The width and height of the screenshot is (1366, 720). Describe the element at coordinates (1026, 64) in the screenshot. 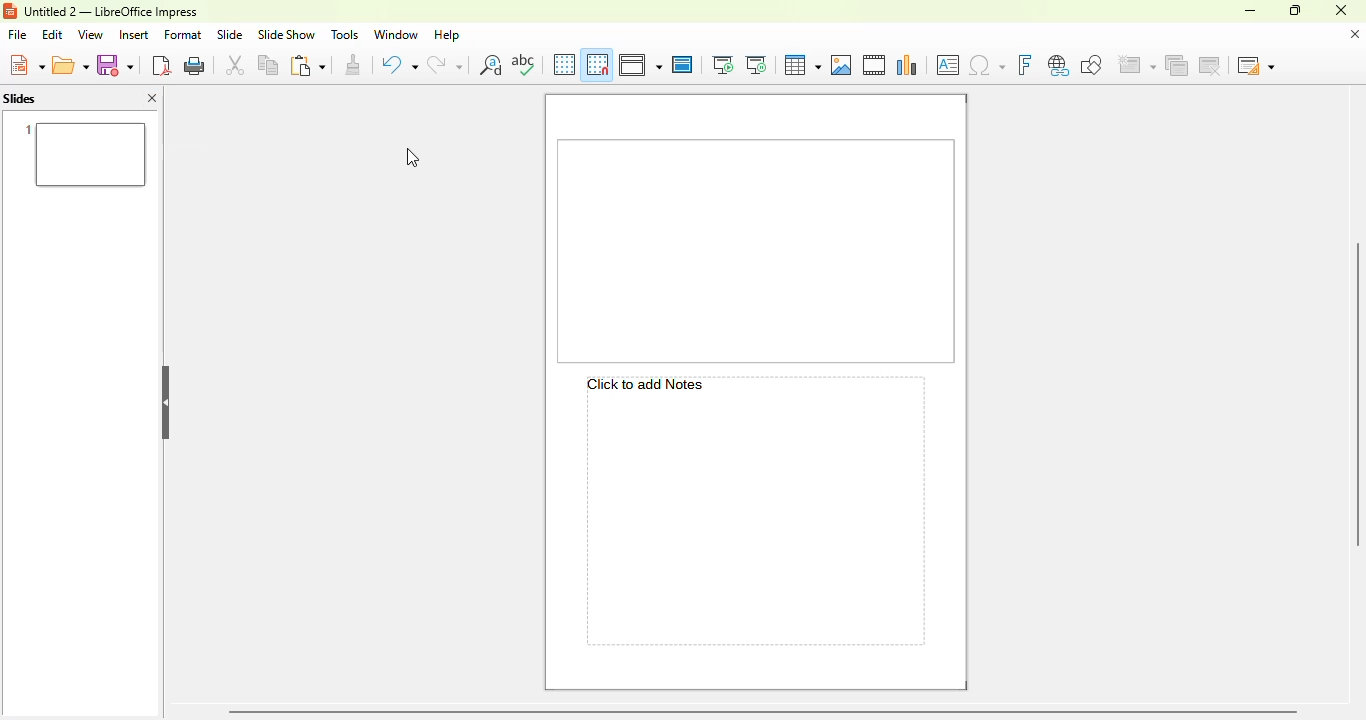

I see `insert fontwork text` at that location.